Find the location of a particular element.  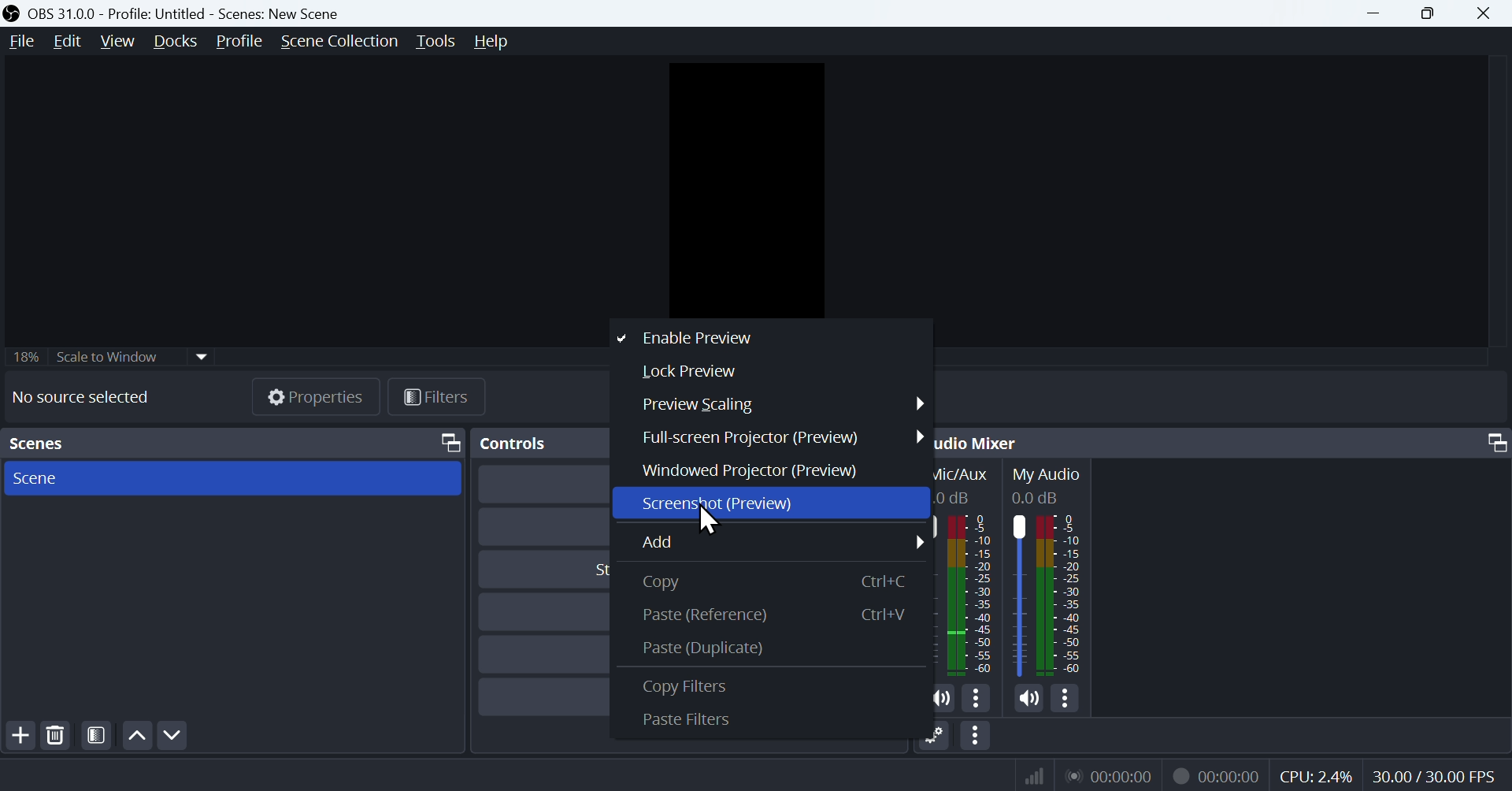

Minimize is located at coordinates (1373, 13).